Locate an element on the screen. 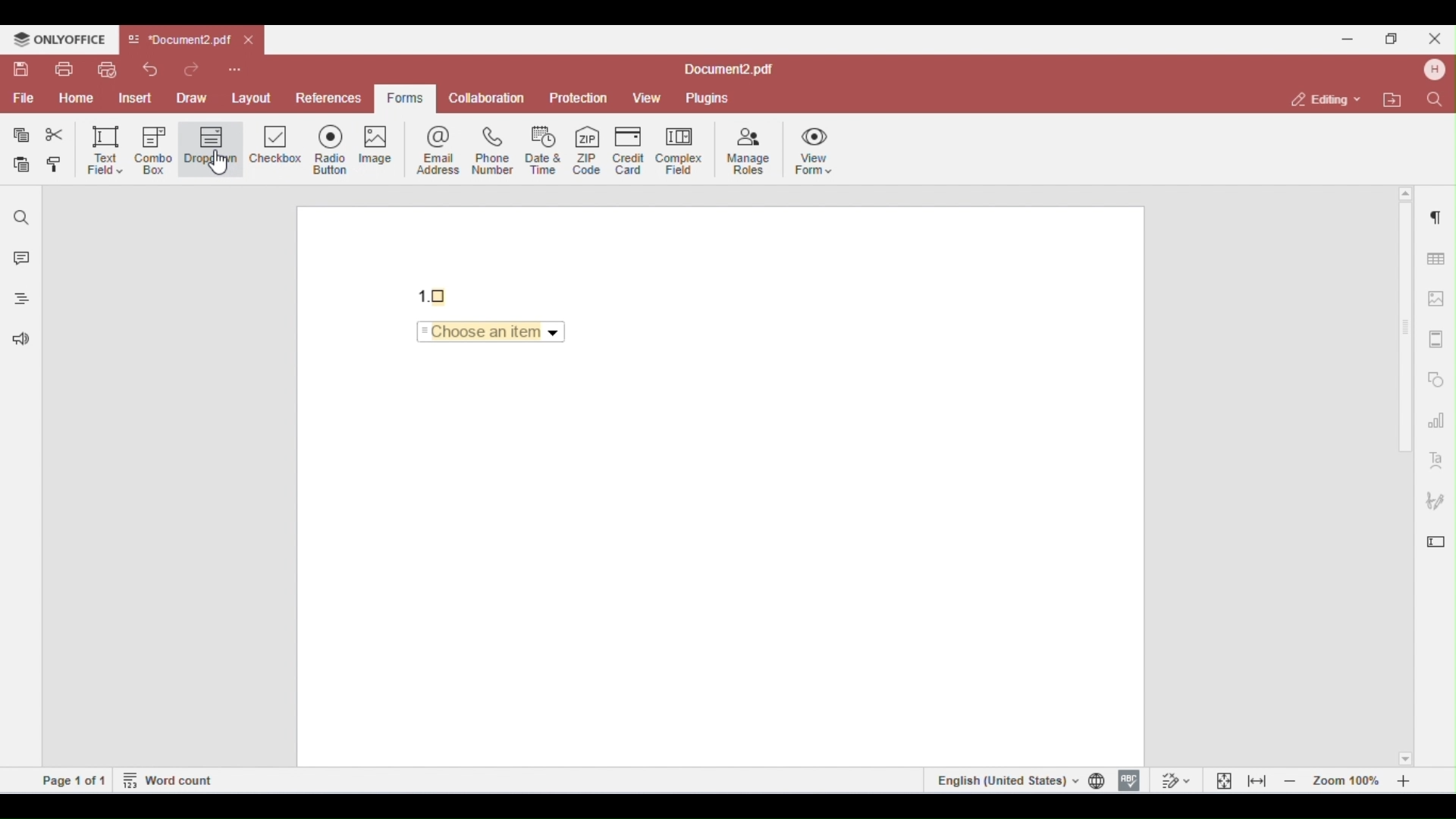 The width and height of the screenshot is (1456, 819). save is located at coordinates (23, 69).